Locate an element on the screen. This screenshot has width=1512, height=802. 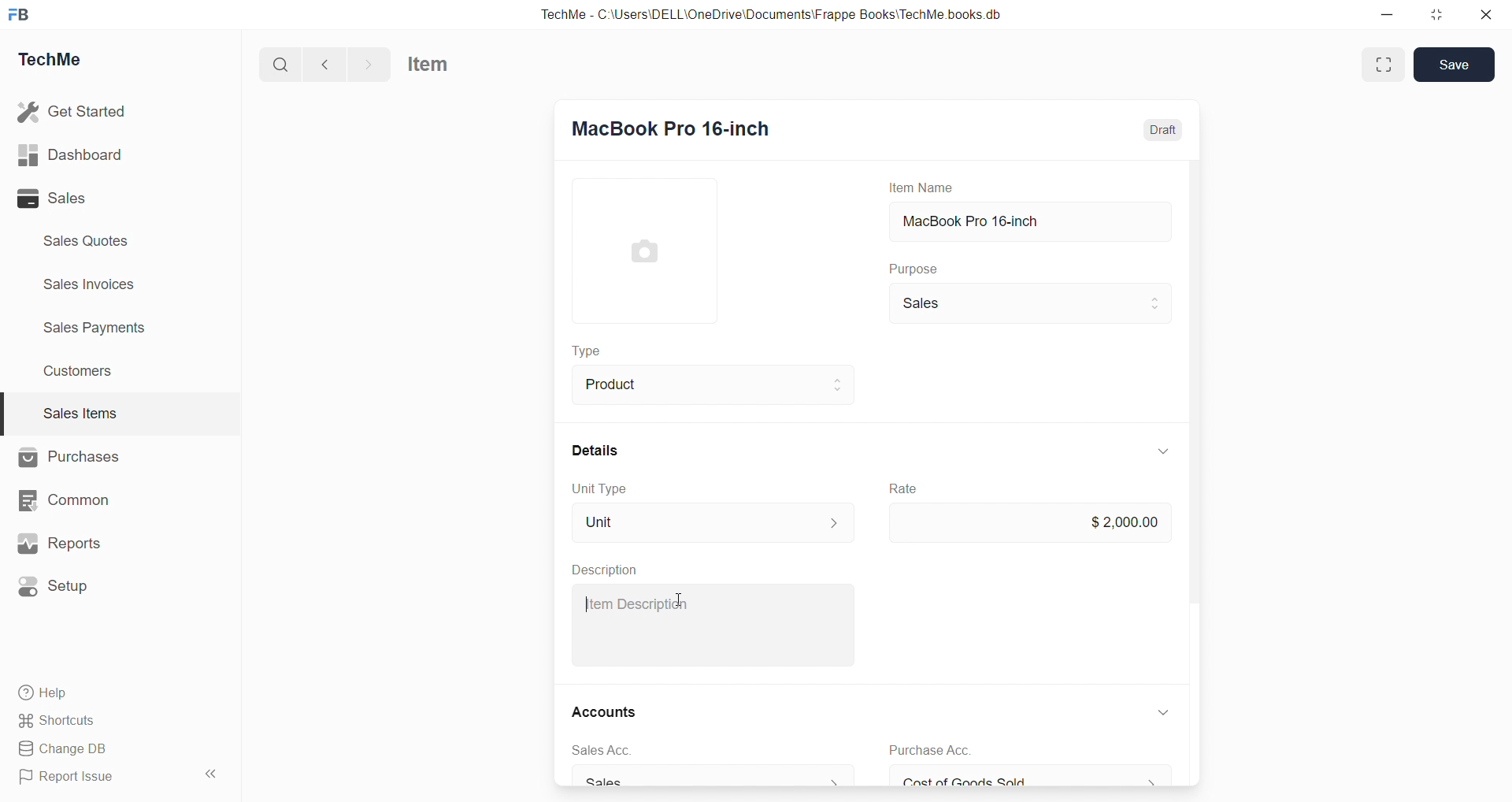
Unit Type is located at coordinates (600, 490).